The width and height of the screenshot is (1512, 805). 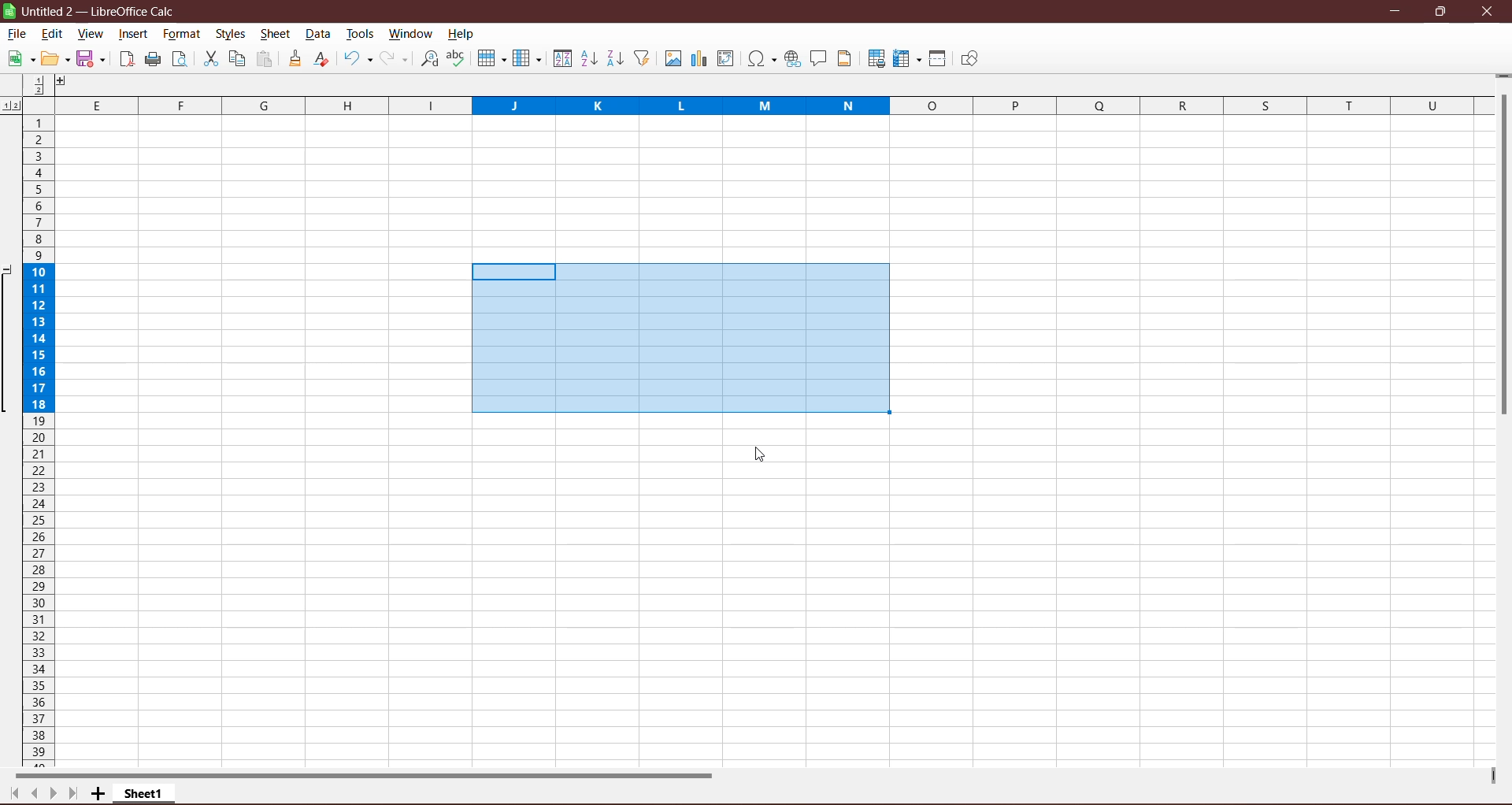 What do you see at coordinates (429, 58) in the screenshot?
I see `Find and Replace` at bounding box center [429, 58].